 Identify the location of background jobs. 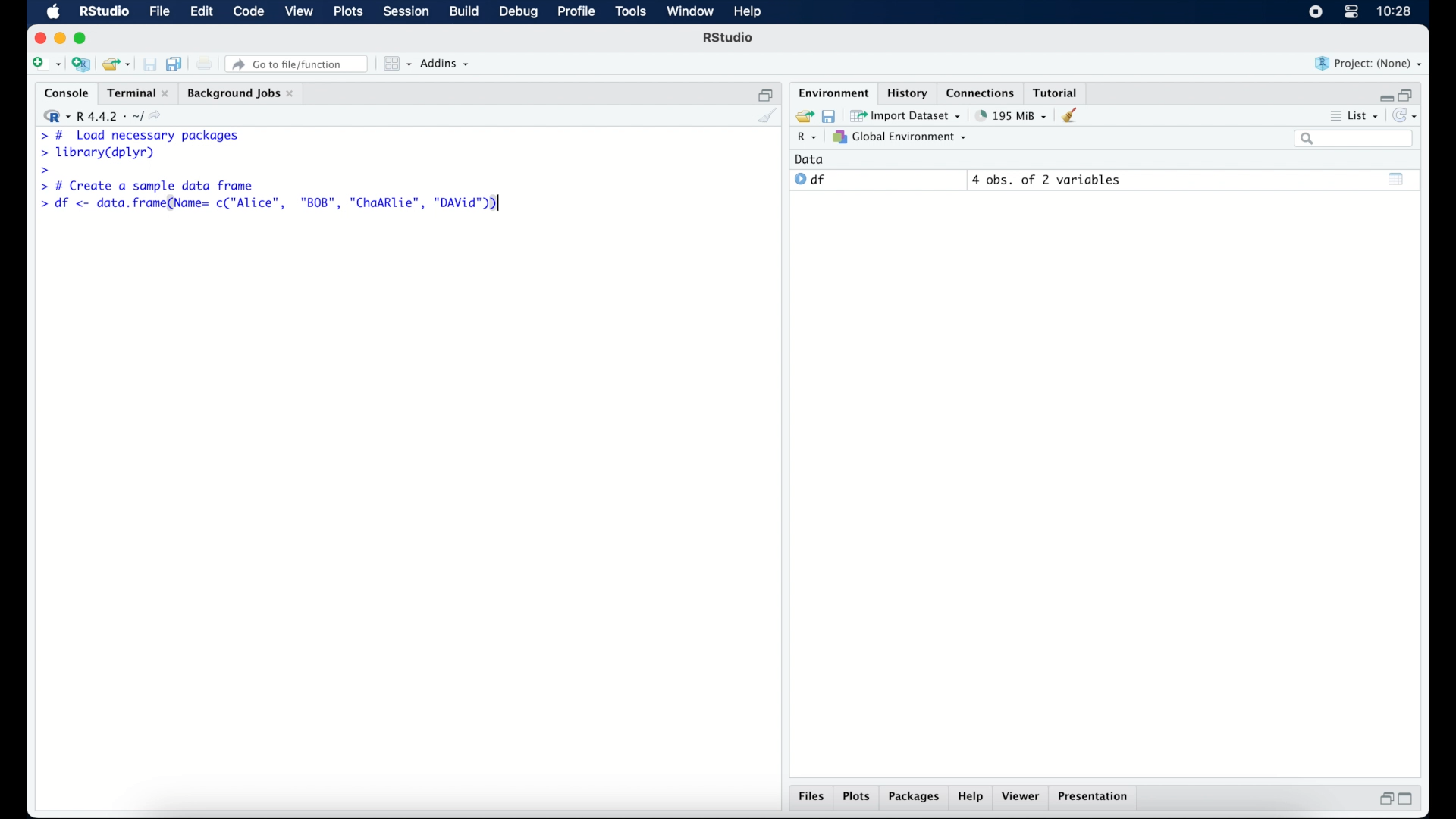
(240, 93).